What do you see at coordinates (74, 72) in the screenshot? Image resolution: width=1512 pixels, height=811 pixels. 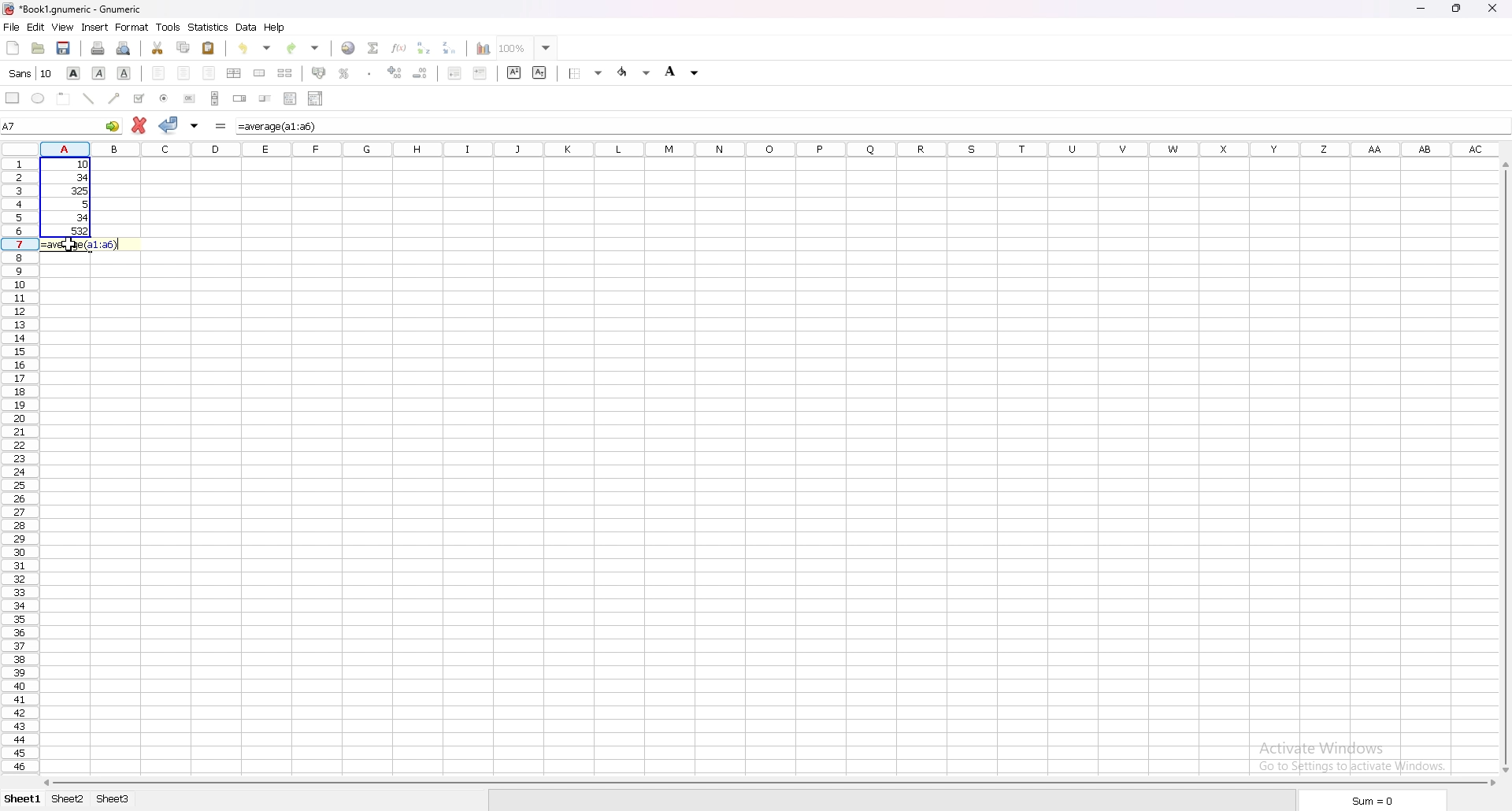 I see `bold` at bounding box center [74, 72].